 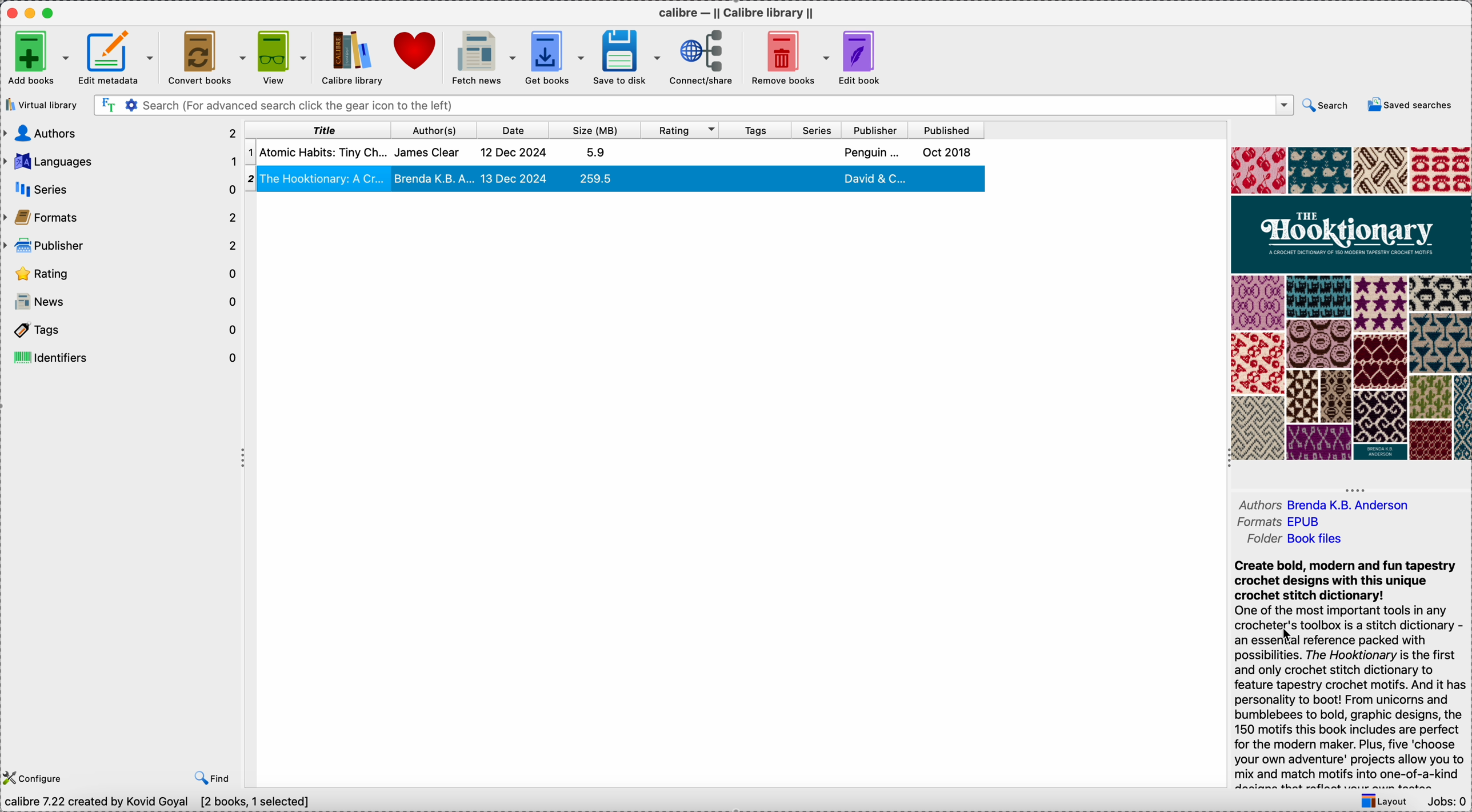 I want to click on Calibre 7.22 created by Kovid Goyal [2 books, 1 selected], so click(x=158, y=802).